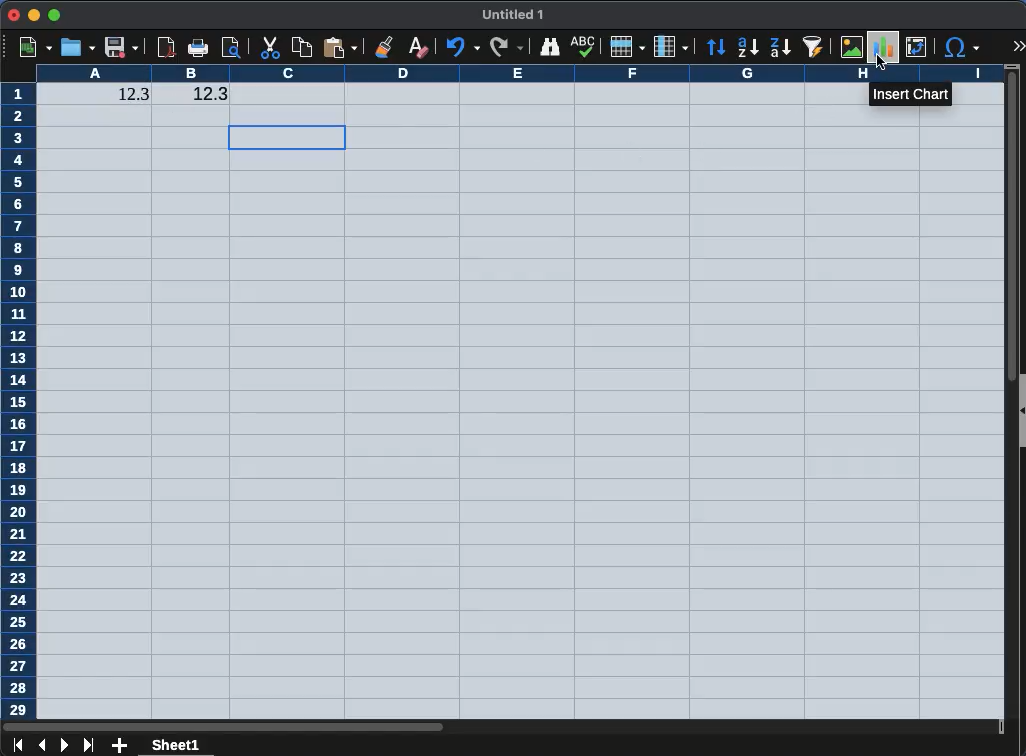 This screenshot has height=756, width=1026. I want to click on sheet 1, so click(176, 745).